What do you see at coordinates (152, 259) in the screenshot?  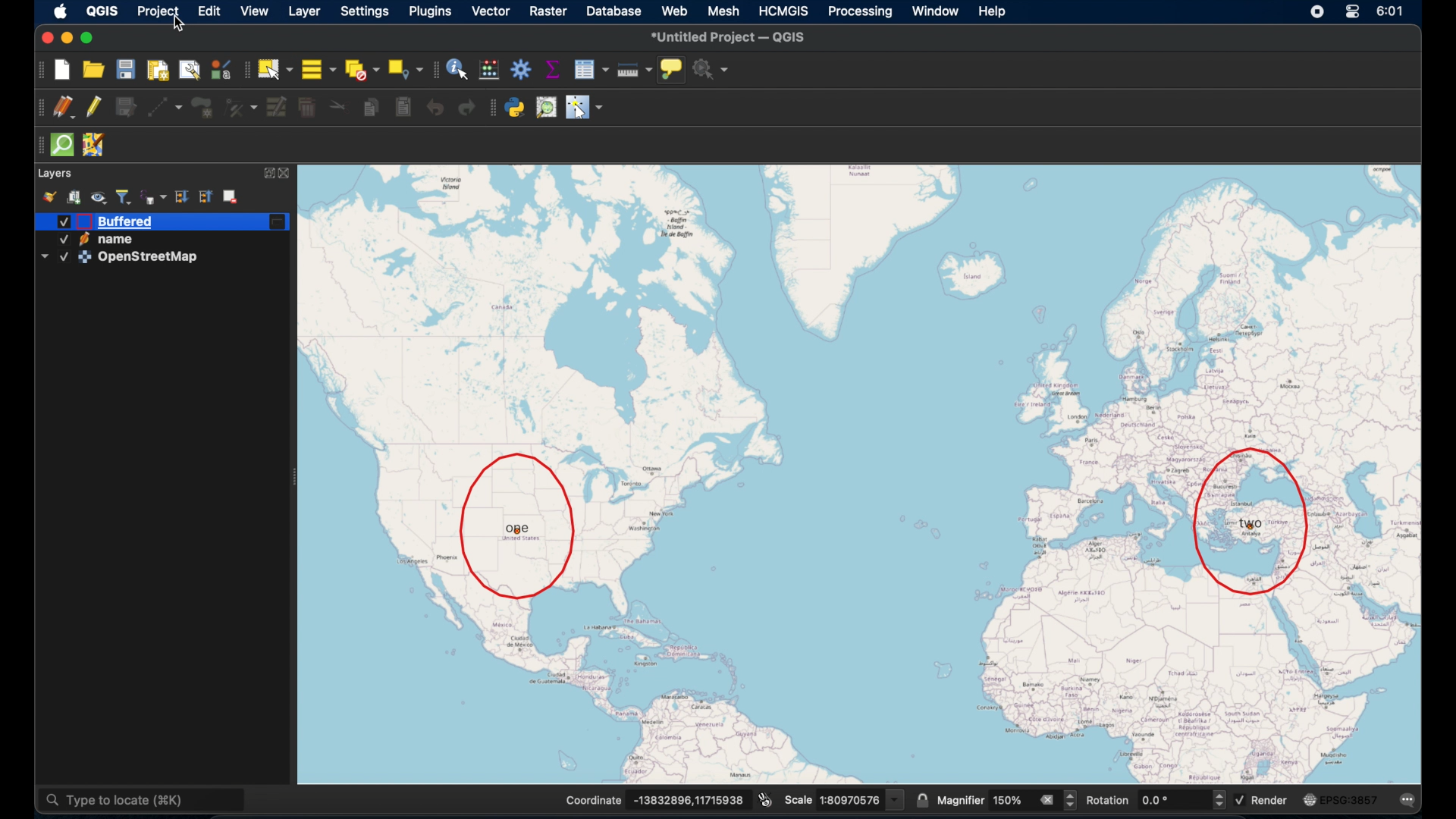 I see `OpenStreetMap` at bounding box center [152, 259].